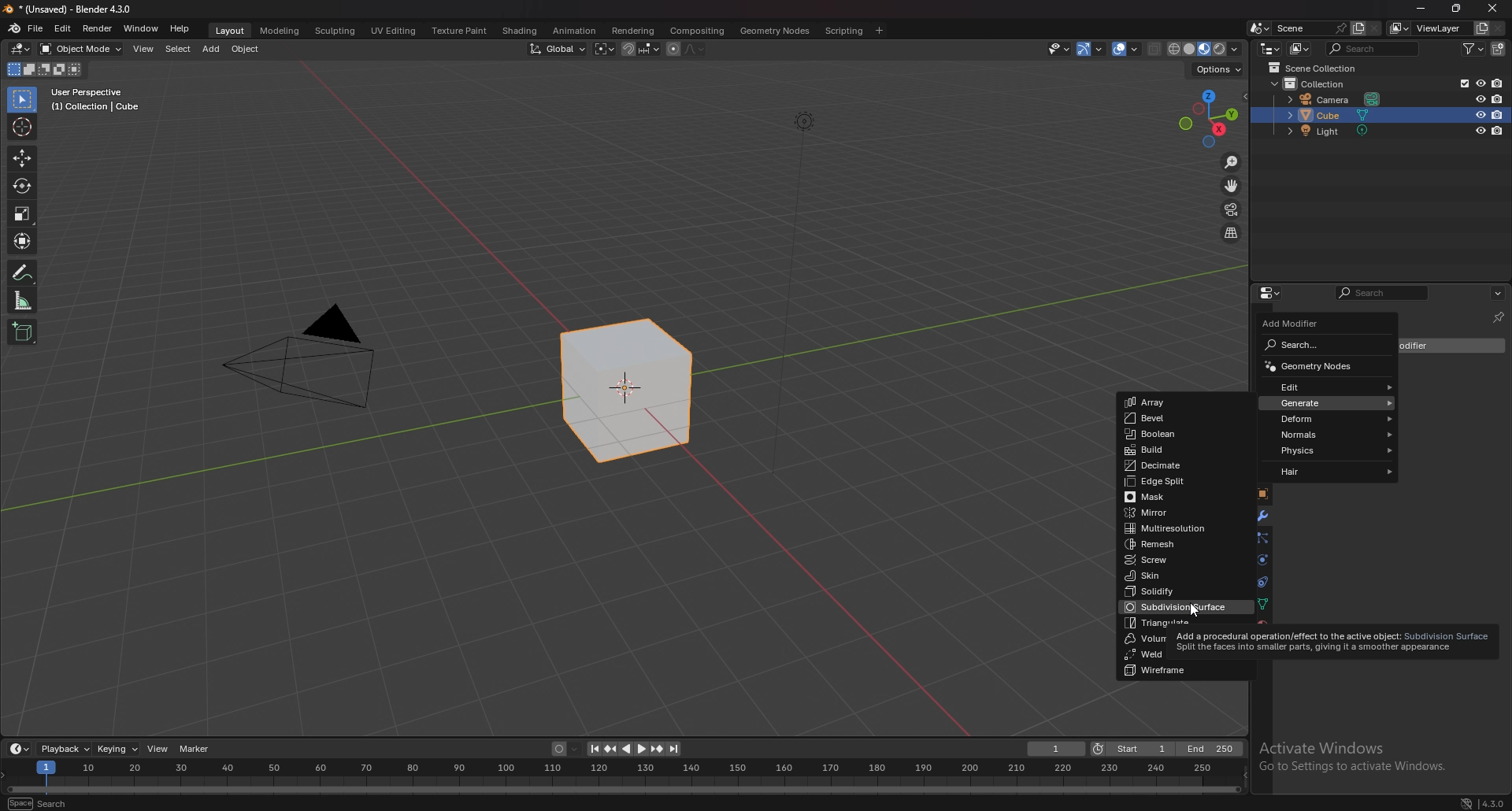  What do you see at coordinates (98, 99) in the screenshot?
I see `info` at bounding box center [98, 99].